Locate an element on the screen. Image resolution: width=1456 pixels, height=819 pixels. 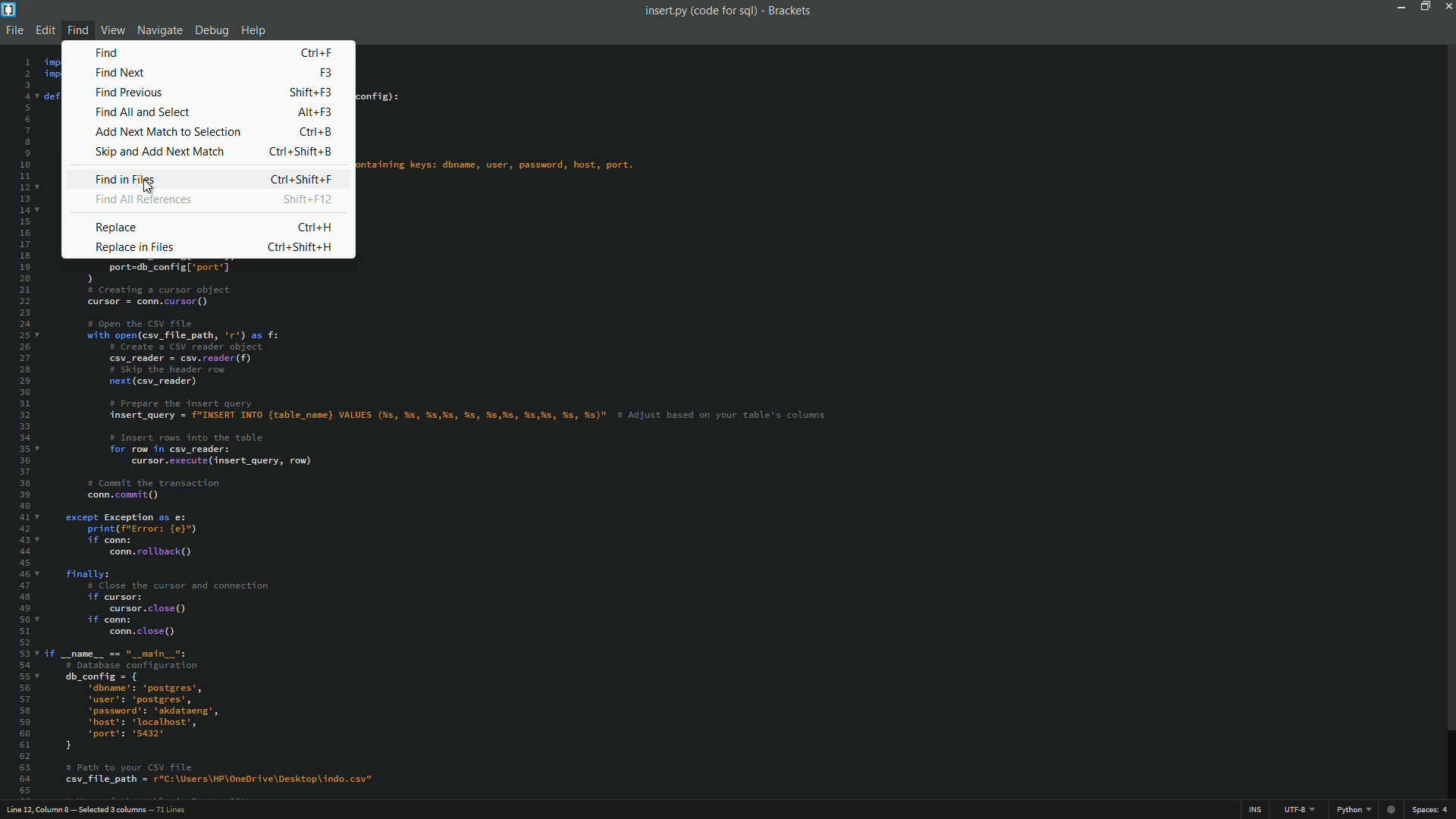
ins is located at coordinates (1258, 812).